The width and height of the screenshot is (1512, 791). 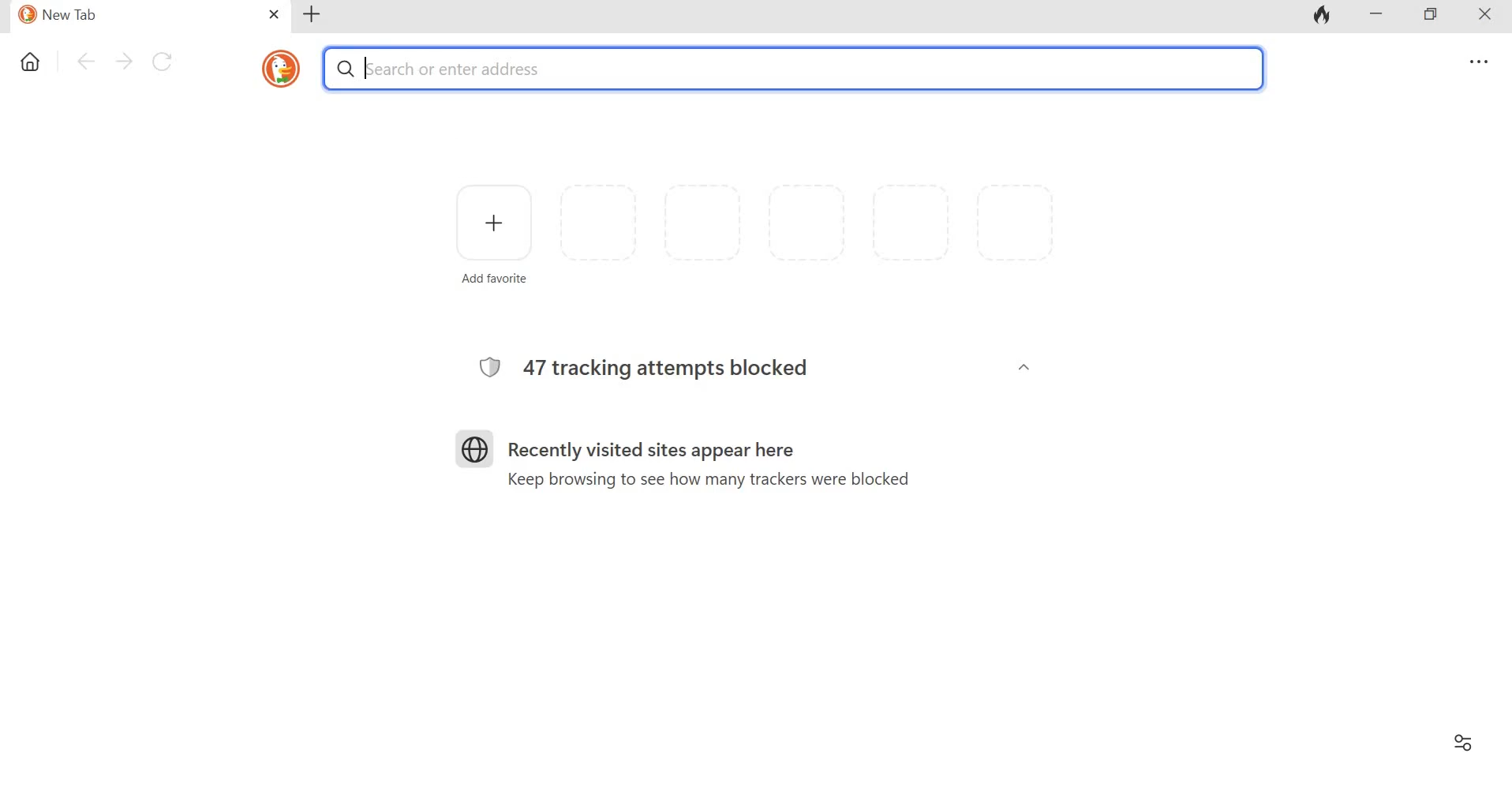 I want to click on Reload this page, so click(x=161, y=62).